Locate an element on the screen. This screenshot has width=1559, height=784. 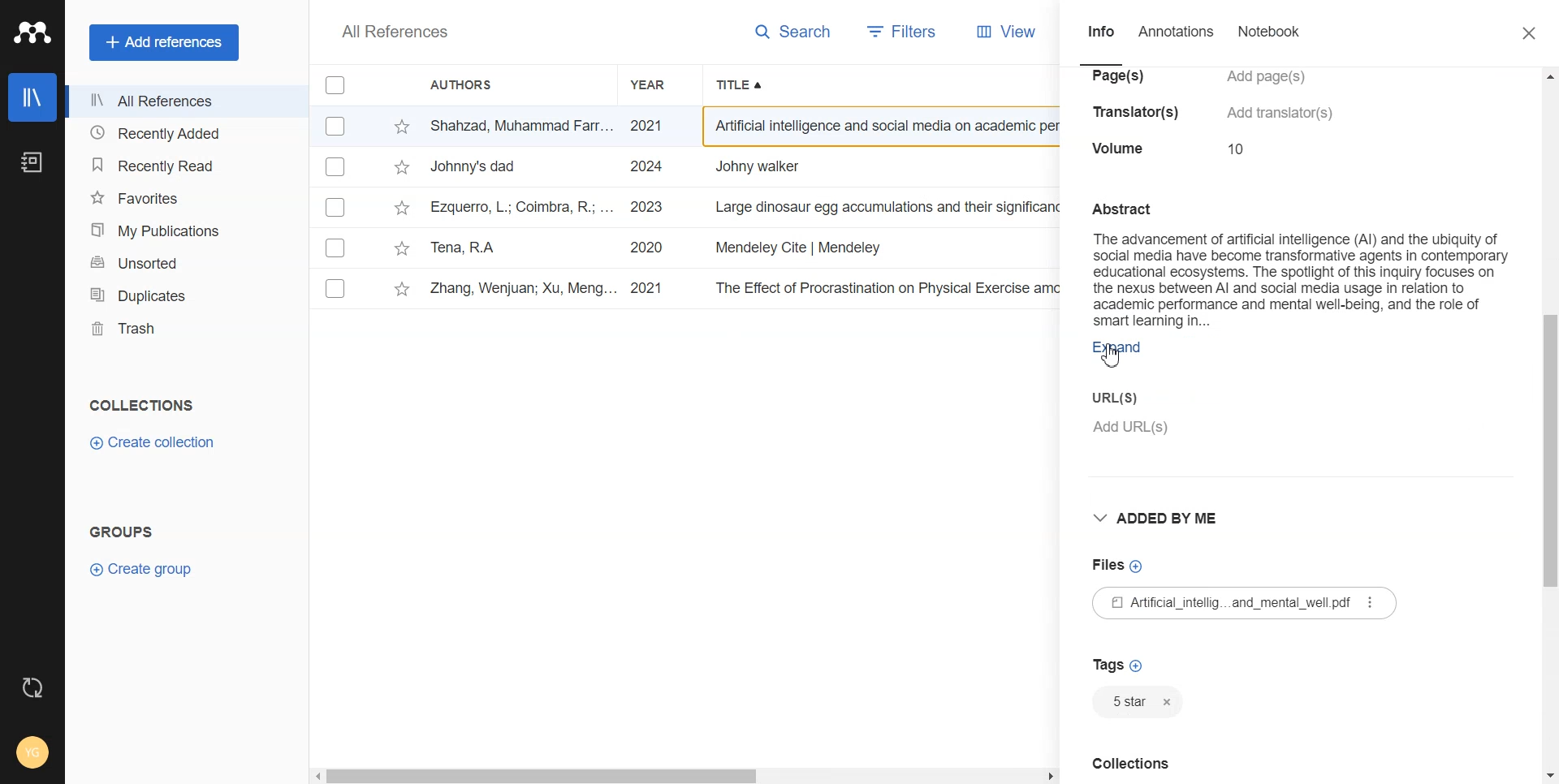
Recently Added is located at coordinates (173, 133).